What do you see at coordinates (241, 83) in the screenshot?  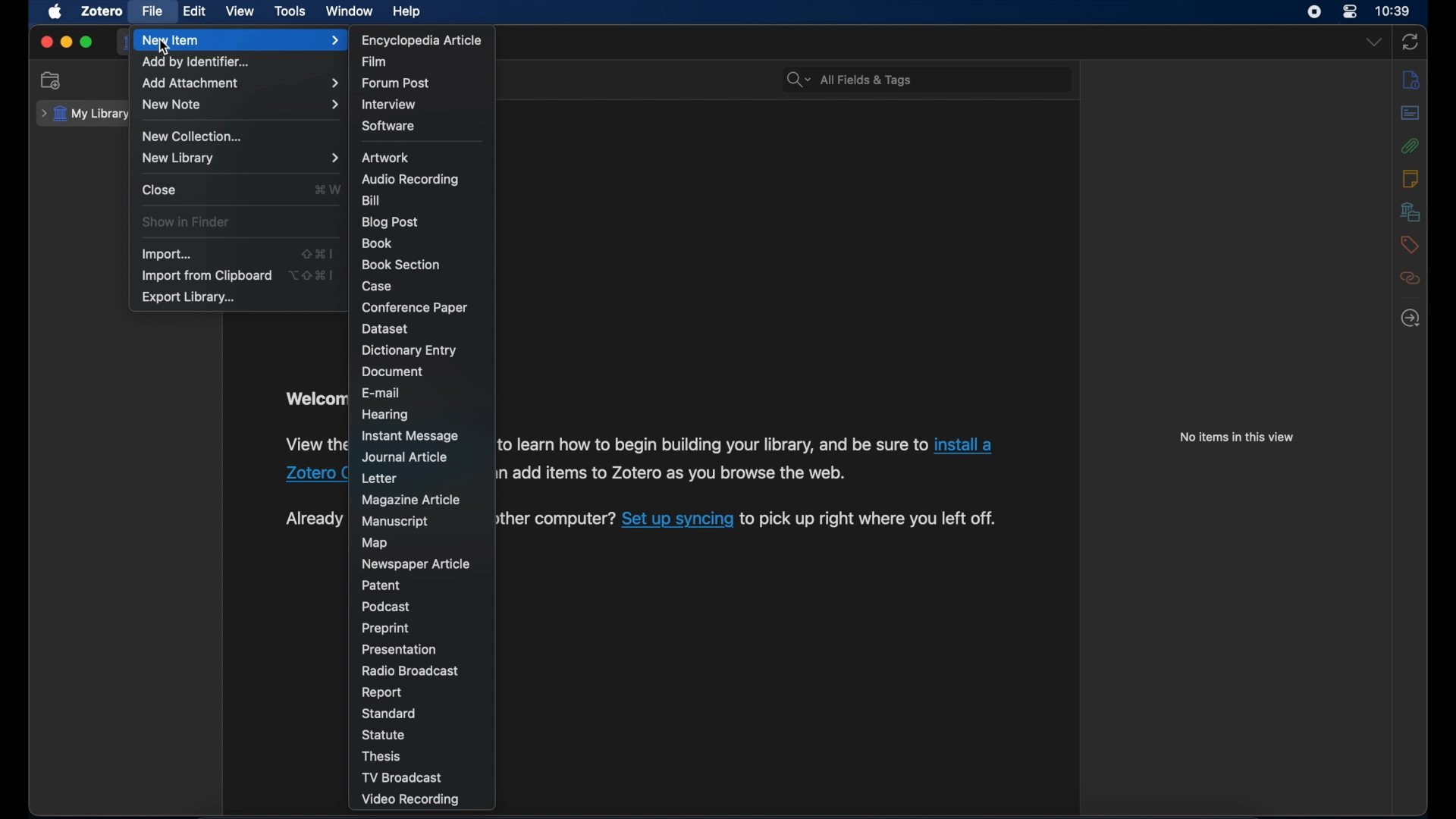 I see `add attachment` at bounding box center [241, 83].